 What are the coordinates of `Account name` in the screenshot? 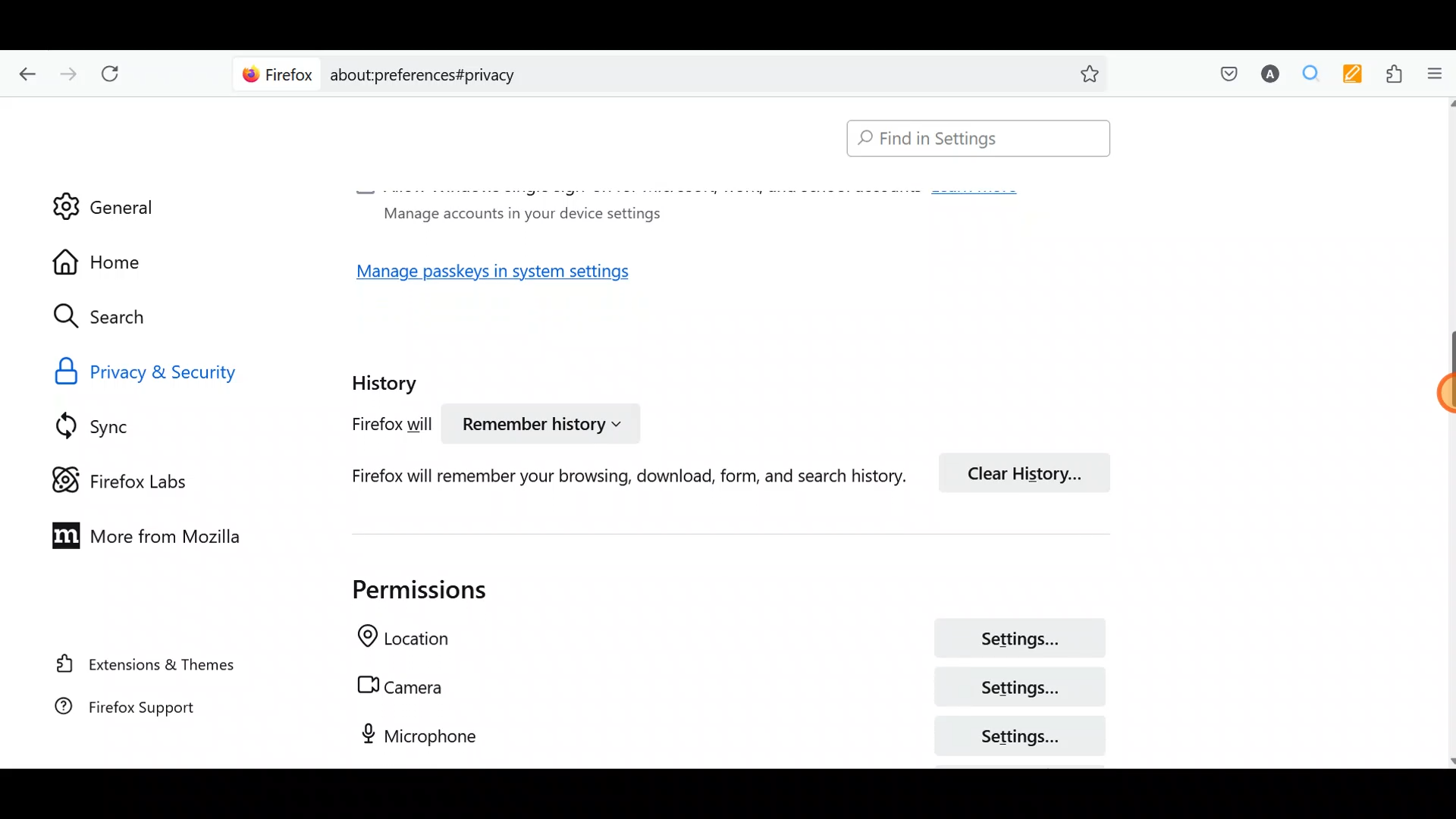 It's located at (1266, 76).